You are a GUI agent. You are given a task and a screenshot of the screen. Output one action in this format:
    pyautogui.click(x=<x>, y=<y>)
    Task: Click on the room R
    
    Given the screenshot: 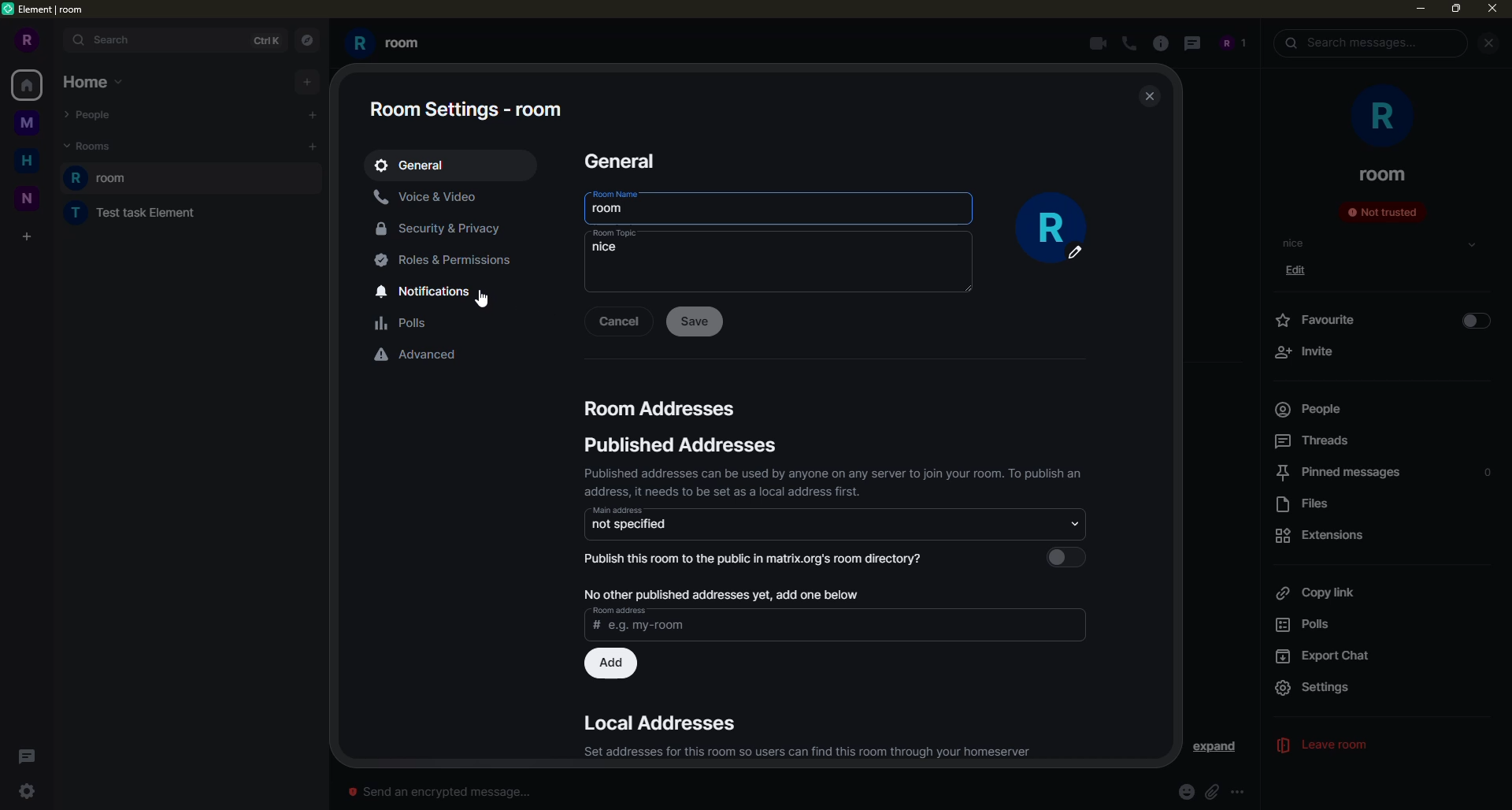 What is the action you would take?
    pyautogui.click(x=391, y=45)
    